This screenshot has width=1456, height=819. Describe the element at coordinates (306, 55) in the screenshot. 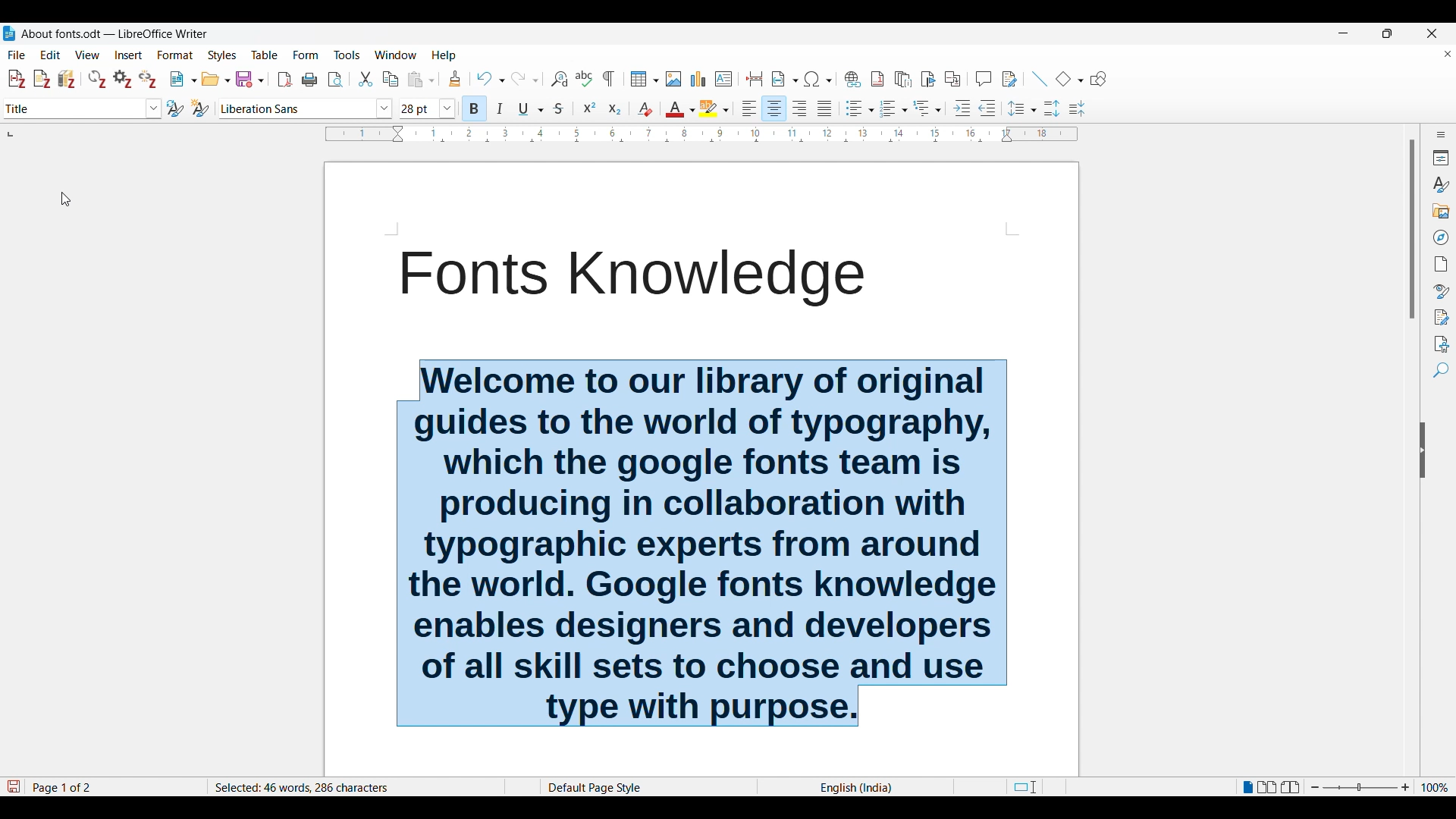

I see `Form menu` at that location.